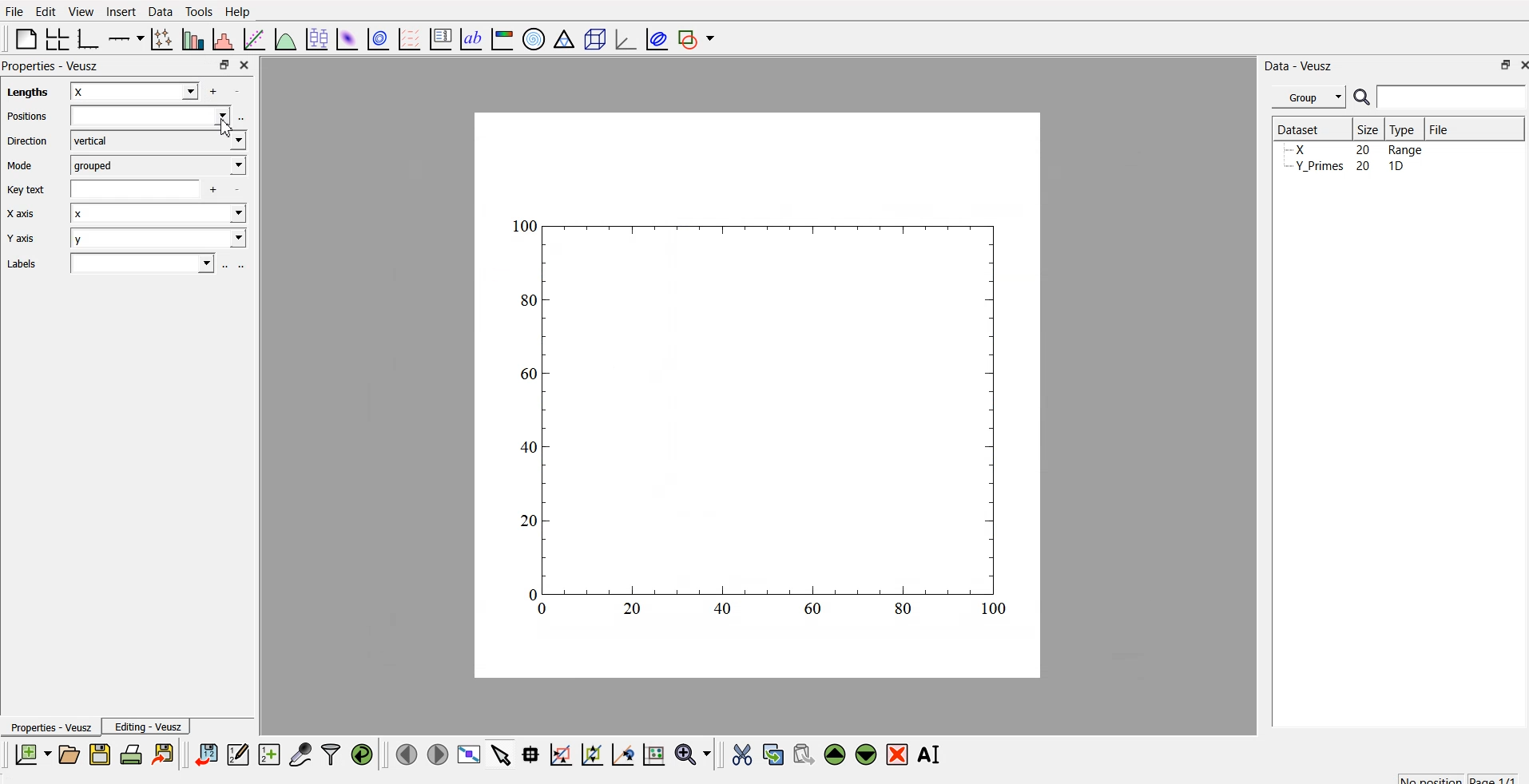 This screenshot has width=1529, height=784. Describe the element at coordinates (243, 64) in the screenshot. I see `close` at that location.